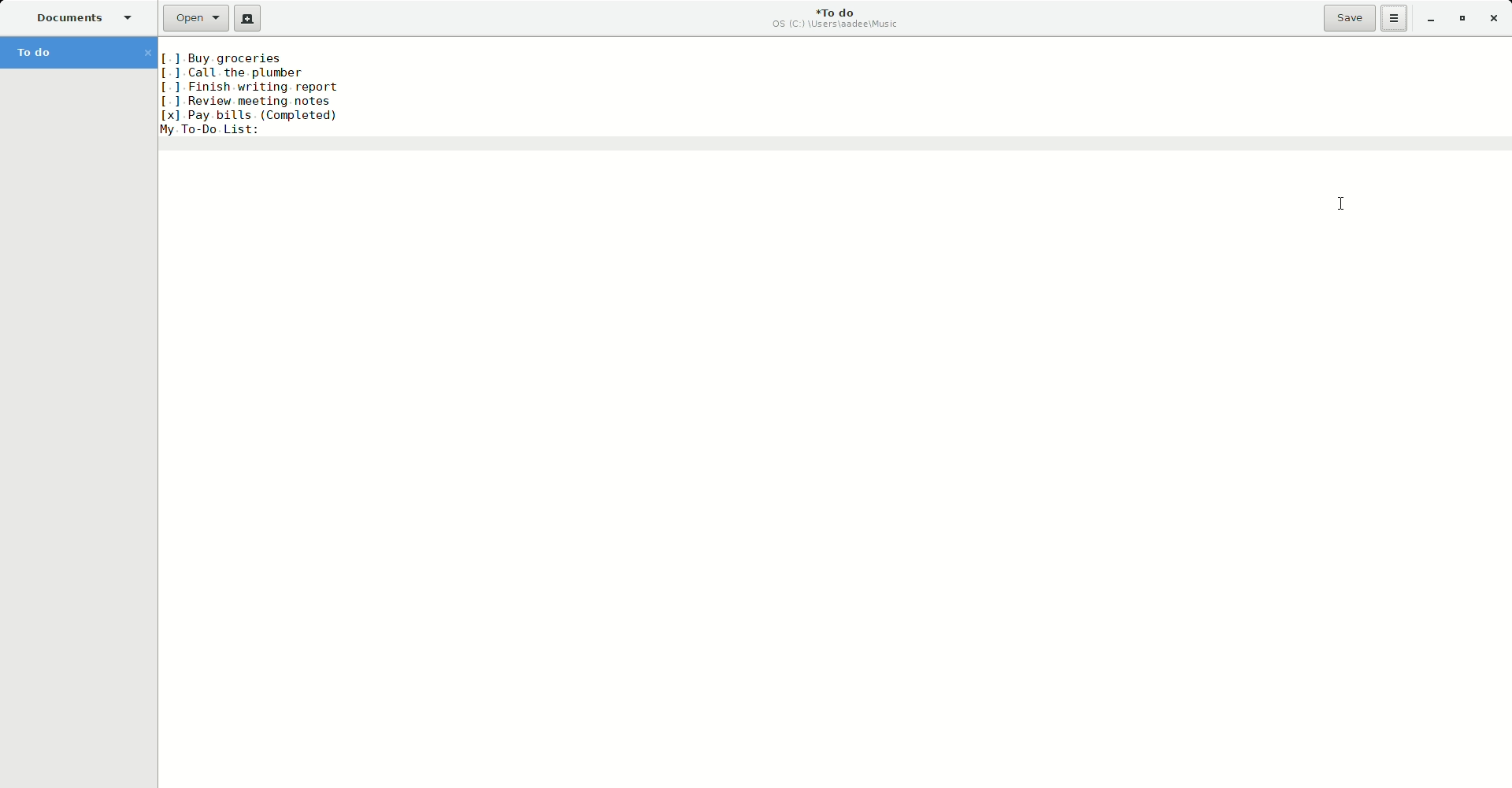 The width and height of the screenshot is (1512, 788). I want to click on Documents, so click(84, 17).